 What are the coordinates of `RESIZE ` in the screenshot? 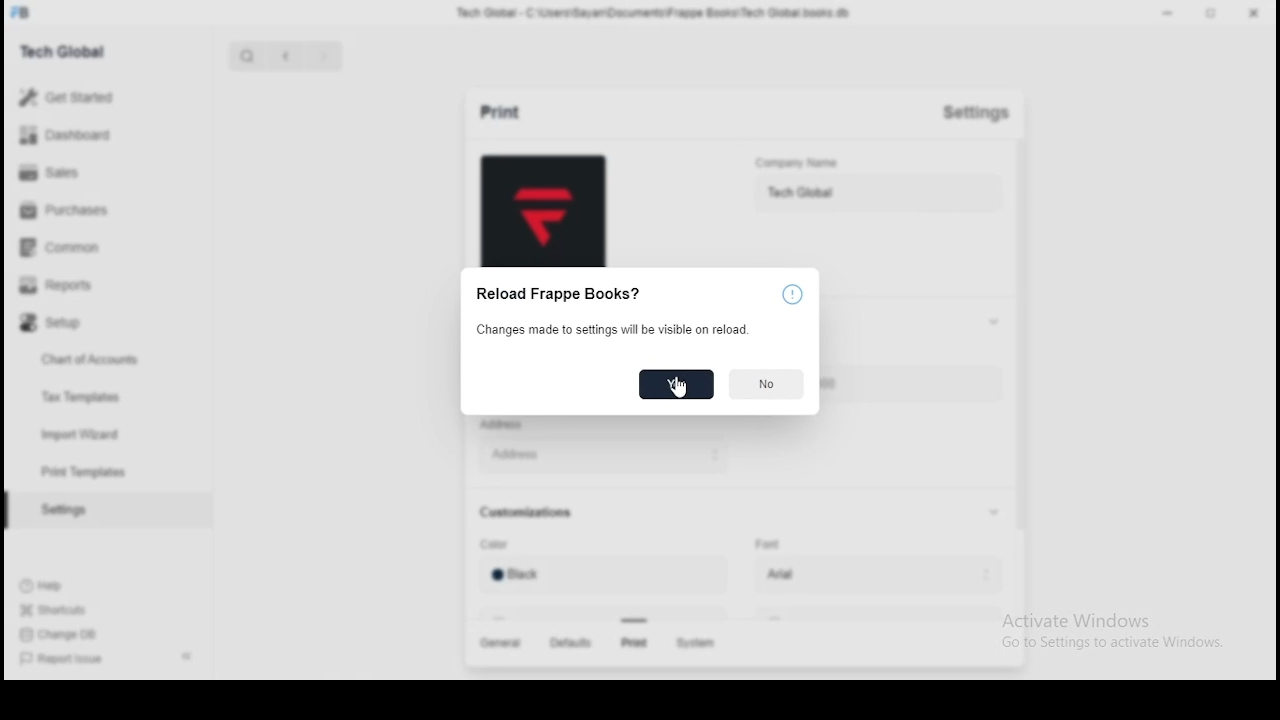 It's located at (1213, 12).